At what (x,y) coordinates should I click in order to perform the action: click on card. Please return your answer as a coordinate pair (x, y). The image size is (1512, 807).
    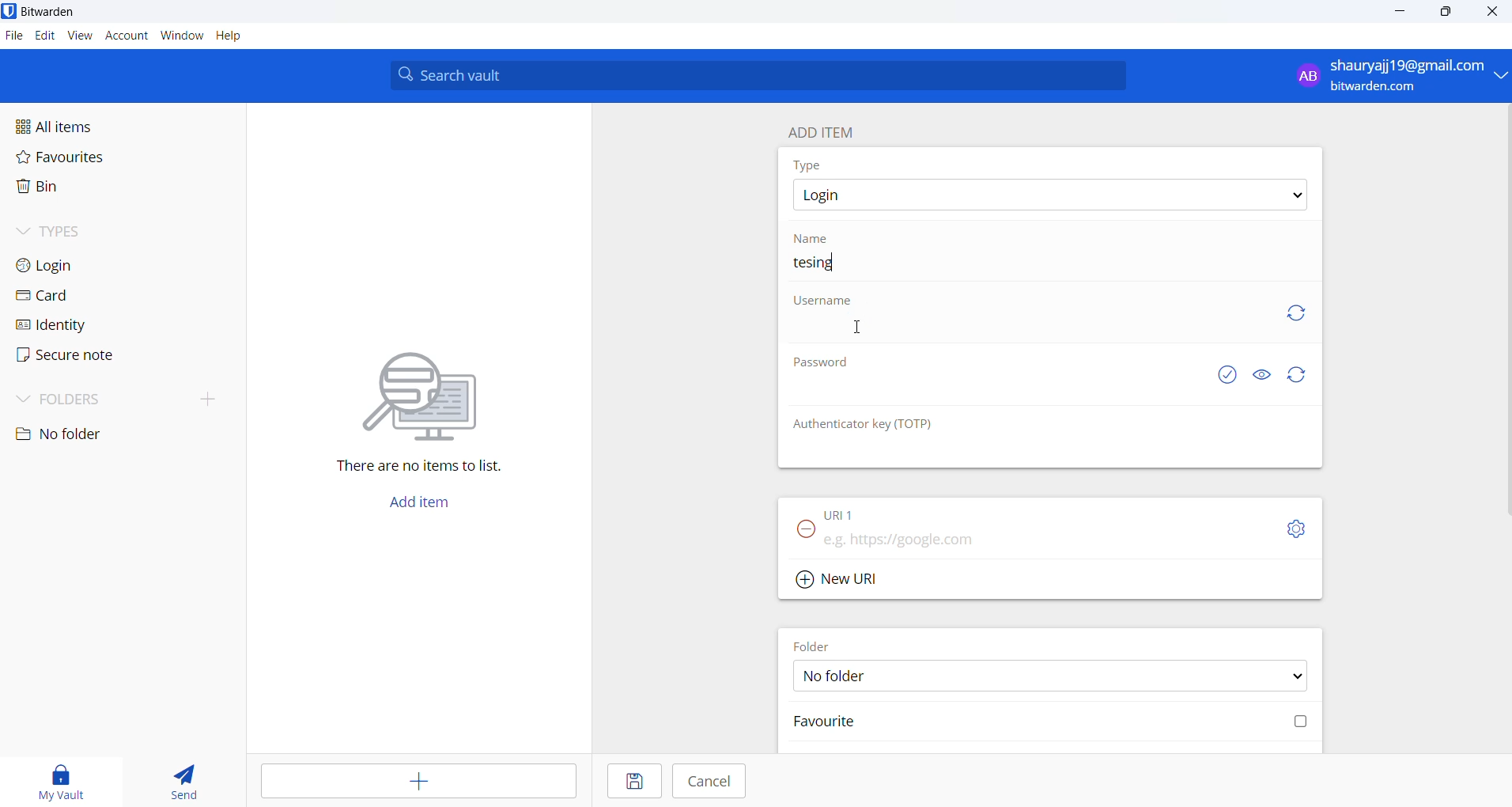
    Looking at the image, I should click on (89, 296).